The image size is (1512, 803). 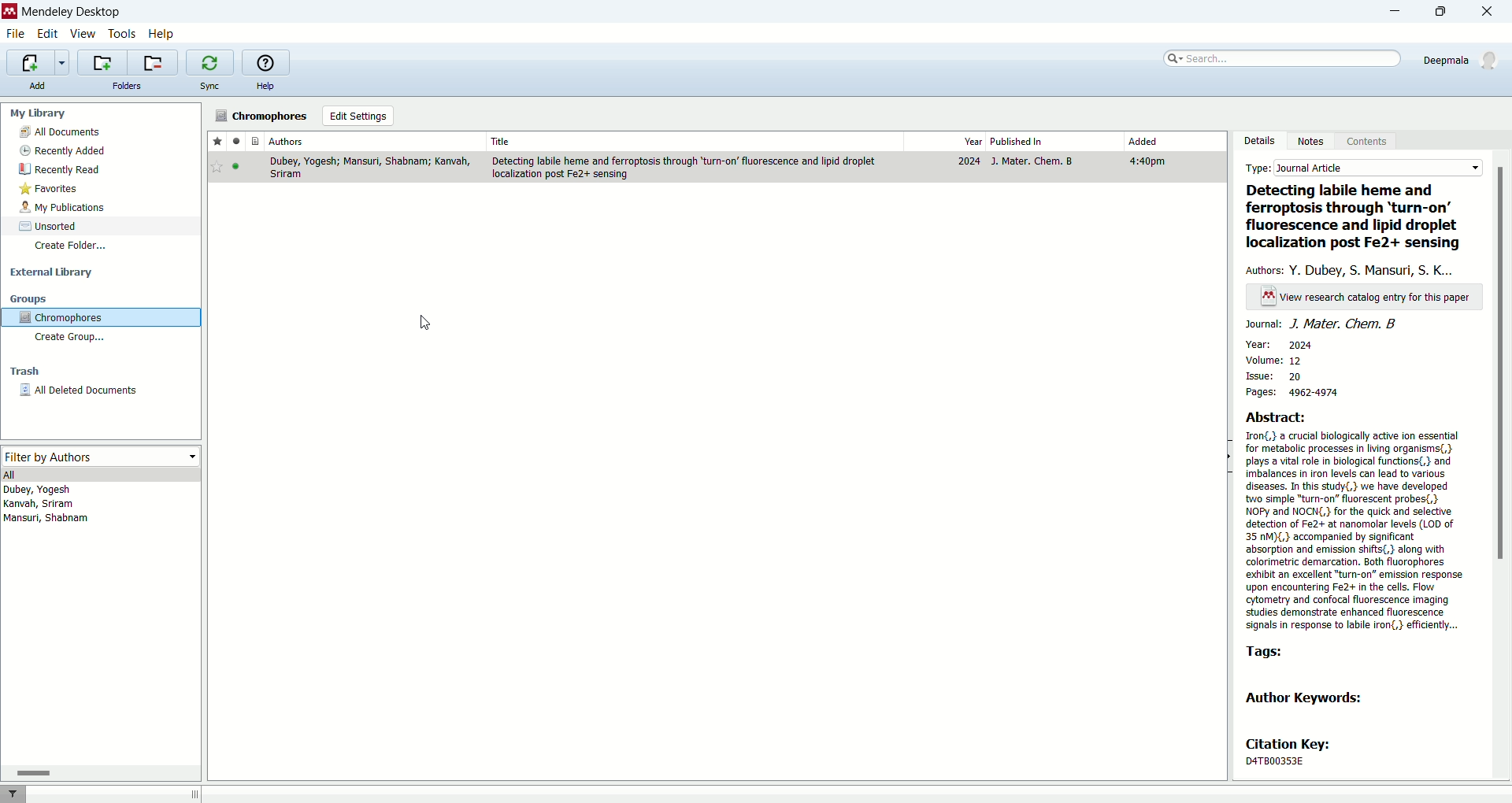 What do you see at coordinates (1354, 269) in the screenshot?
I see `authors` at bounding box center [1354, 269].